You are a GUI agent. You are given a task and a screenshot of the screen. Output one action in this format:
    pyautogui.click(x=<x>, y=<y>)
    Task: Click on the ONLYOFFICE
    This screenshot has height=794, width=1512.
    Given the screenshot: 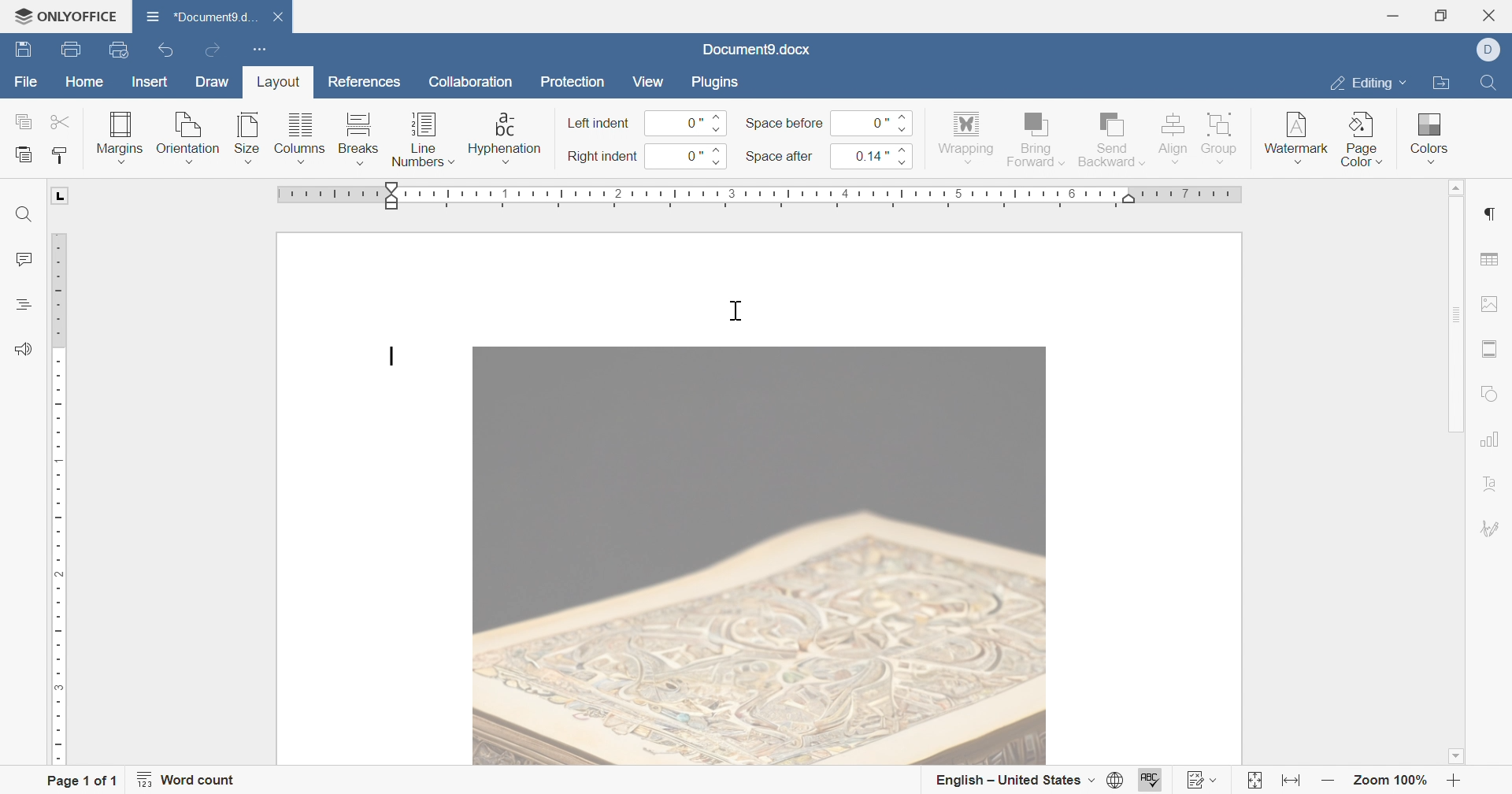 What is the action you would take?
    pyautogui.click(x=65, y=13)
    